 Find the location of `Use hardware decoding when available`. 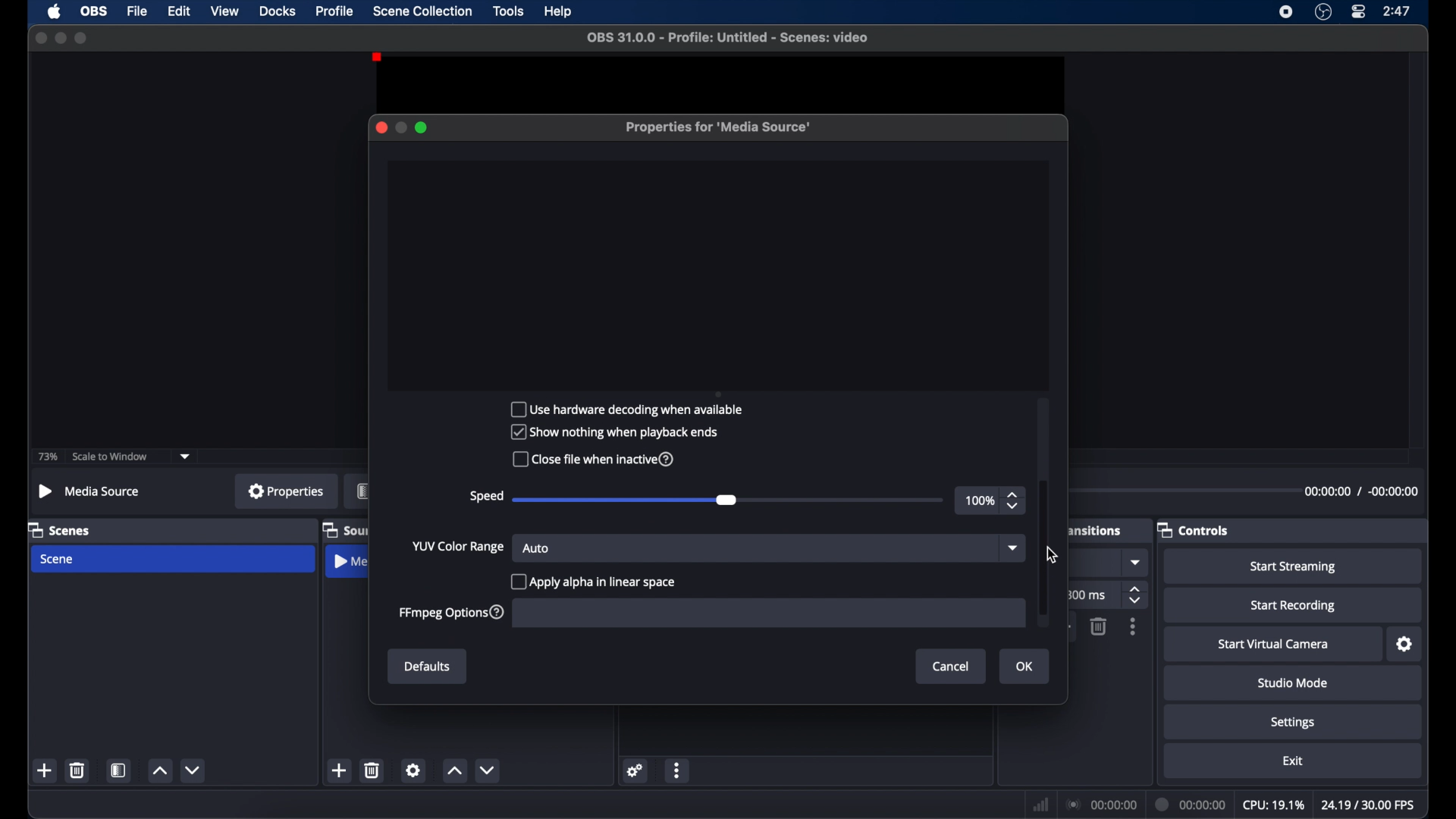

Use hardware decoding when available is located at coordinates (631, 411).